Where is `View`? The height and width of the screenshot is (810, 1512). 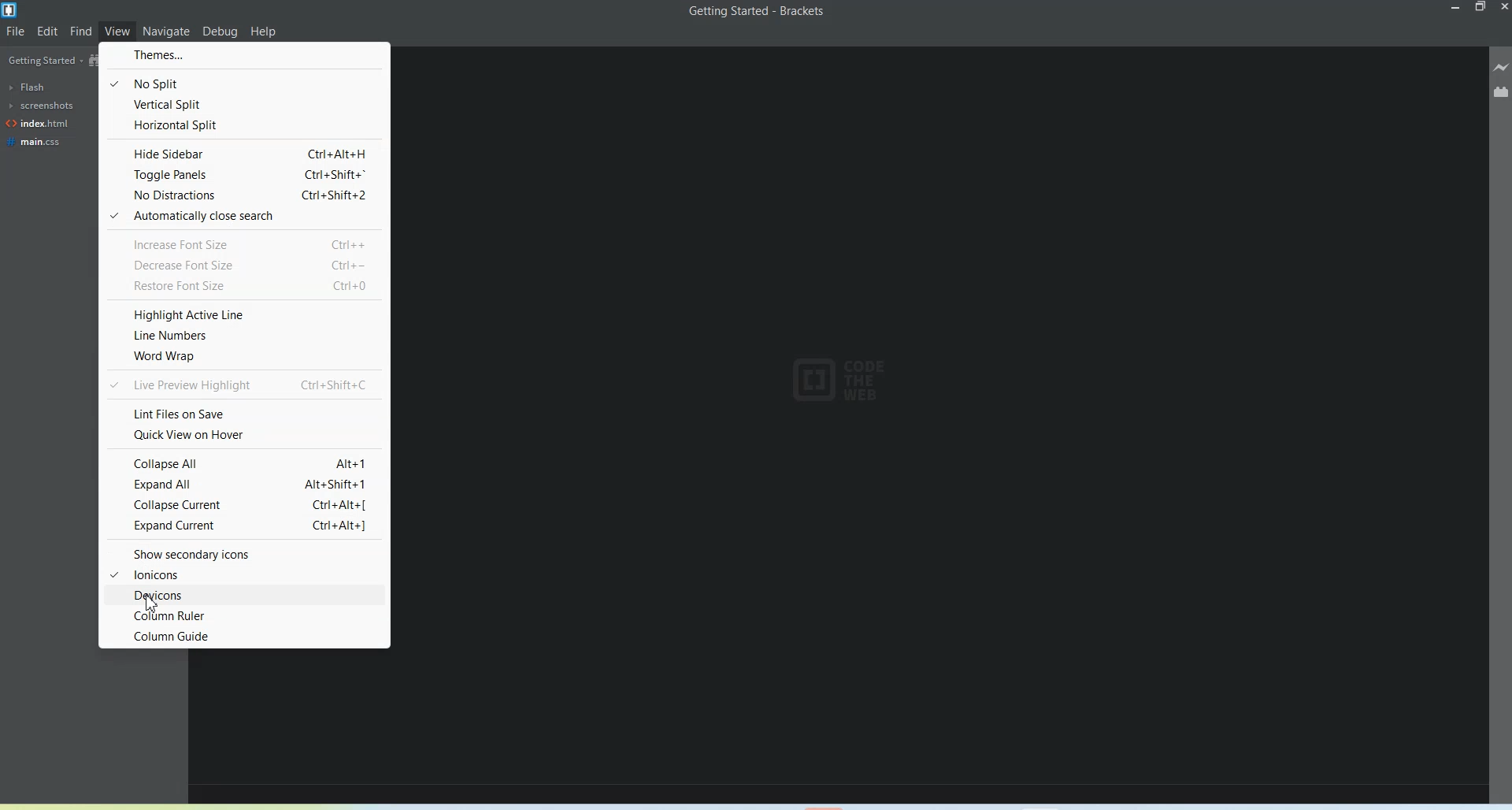
View is located at coordinates (119, 32).